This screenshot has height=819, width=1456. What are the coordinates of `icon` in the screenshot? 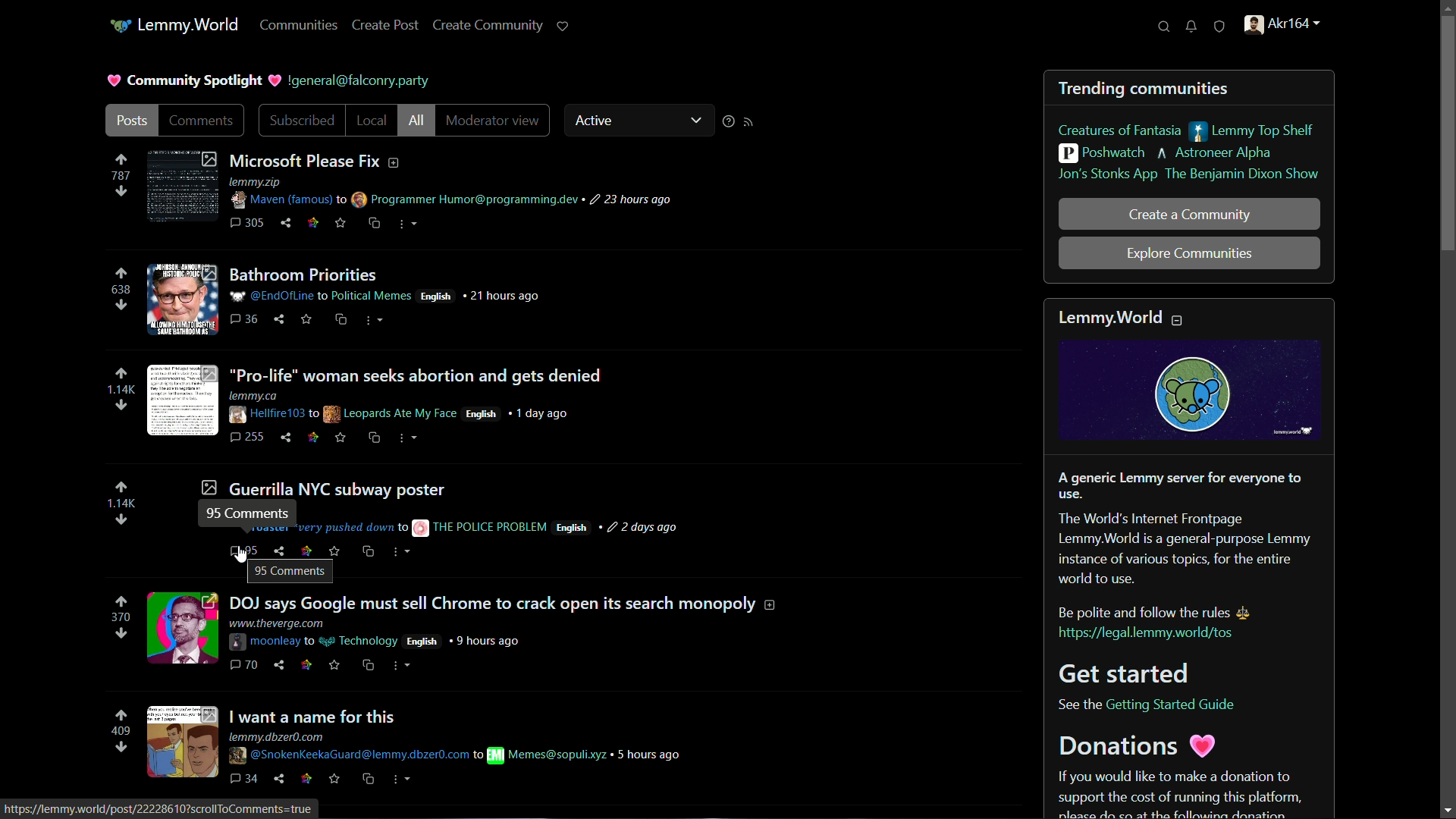 It's located at (281, 549).